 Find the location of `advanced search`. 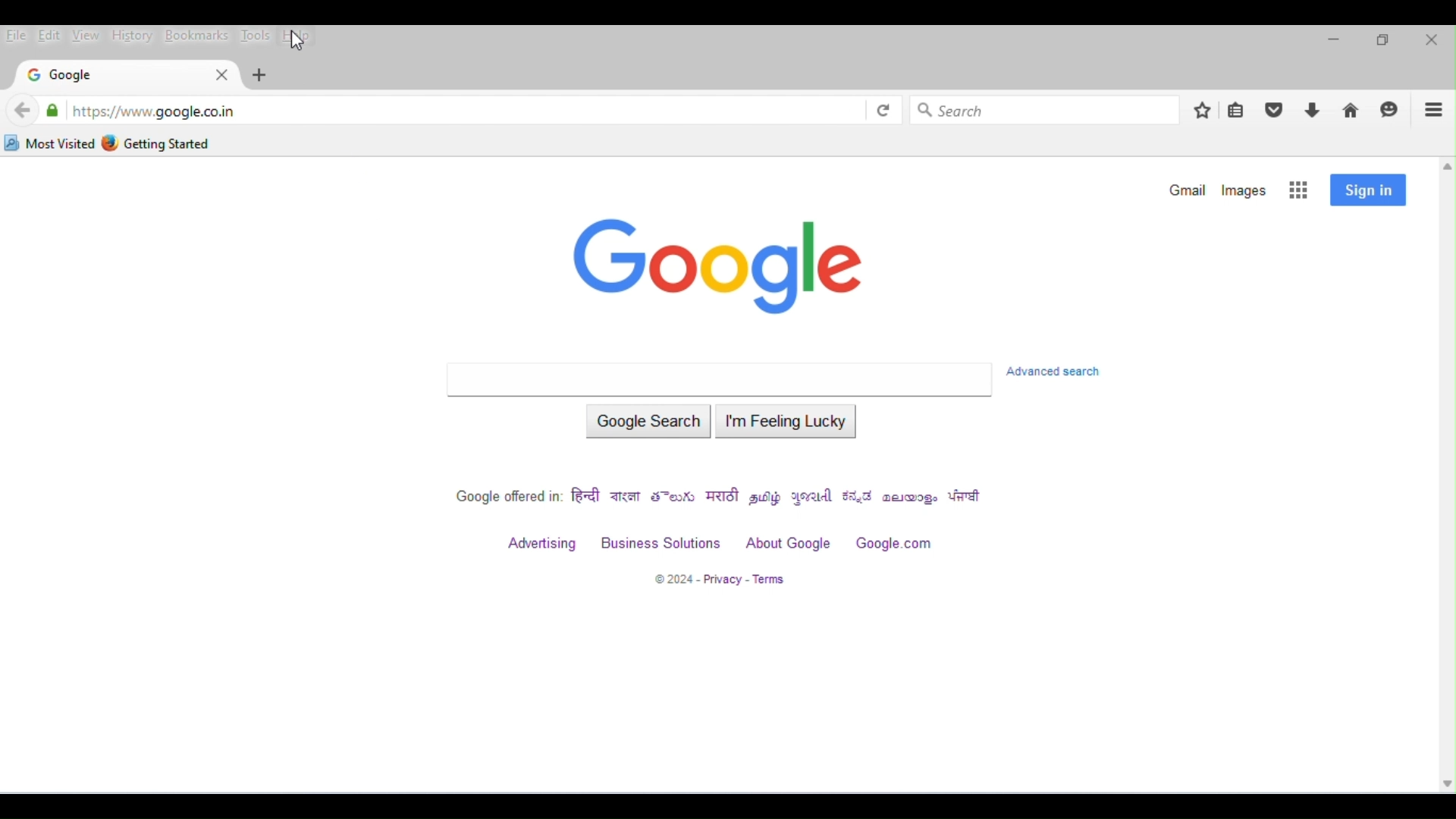

advanced search is located at coordinates (1060, 372).